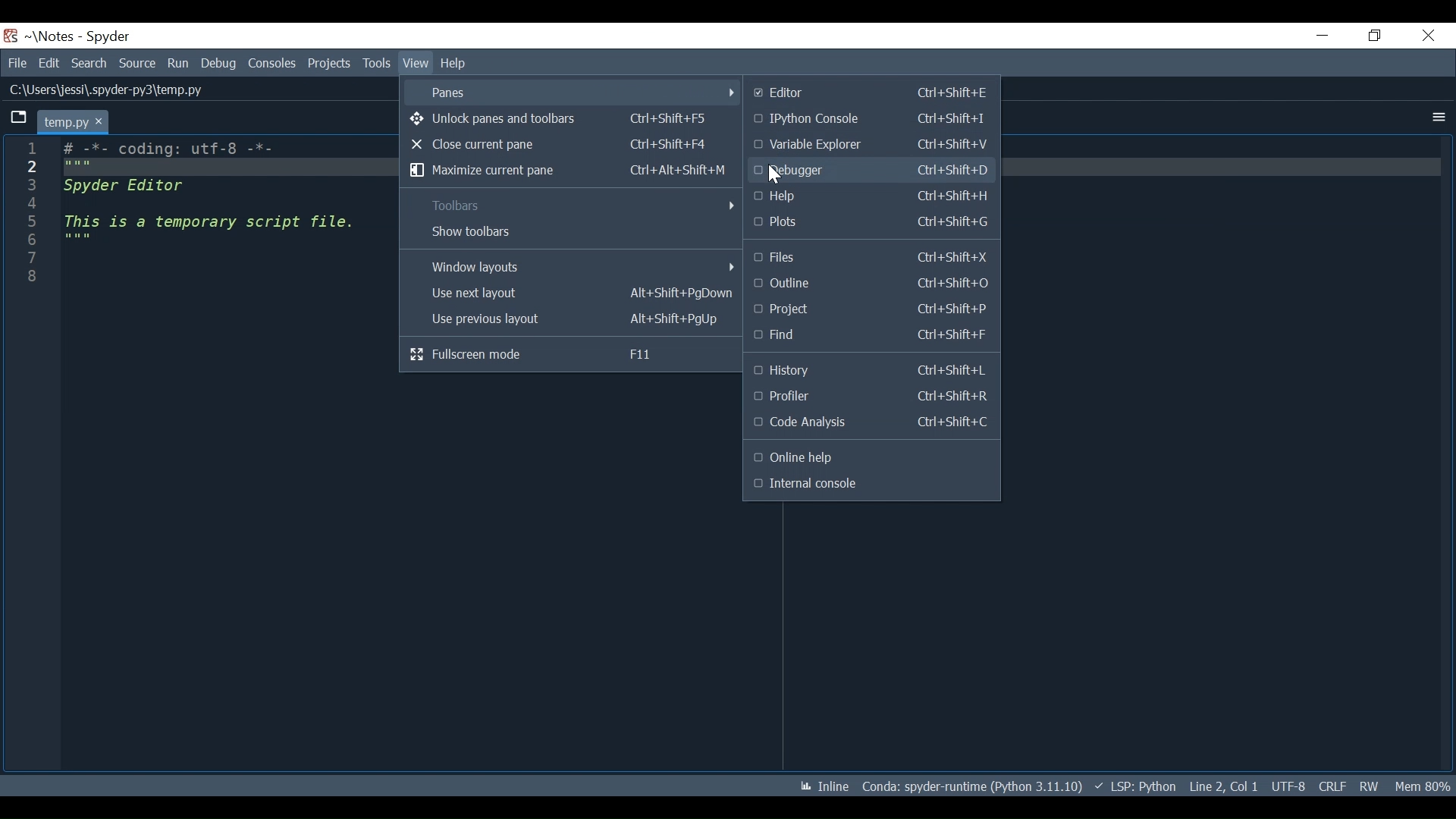 This screenshot has width=1456, height=819. Describe the element at coordinates (1370, 36) in the screenshot. I see `Restore` at that location.